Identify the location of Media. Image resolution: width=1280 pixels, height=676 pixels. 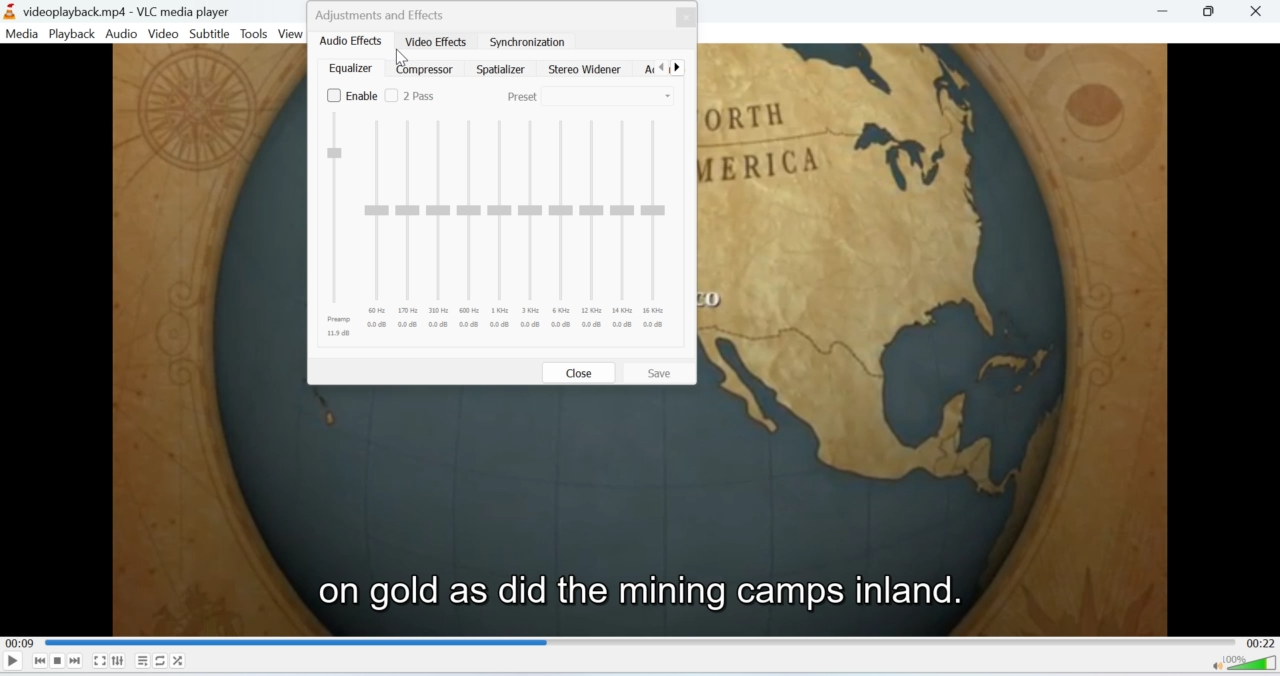
(22, 34).